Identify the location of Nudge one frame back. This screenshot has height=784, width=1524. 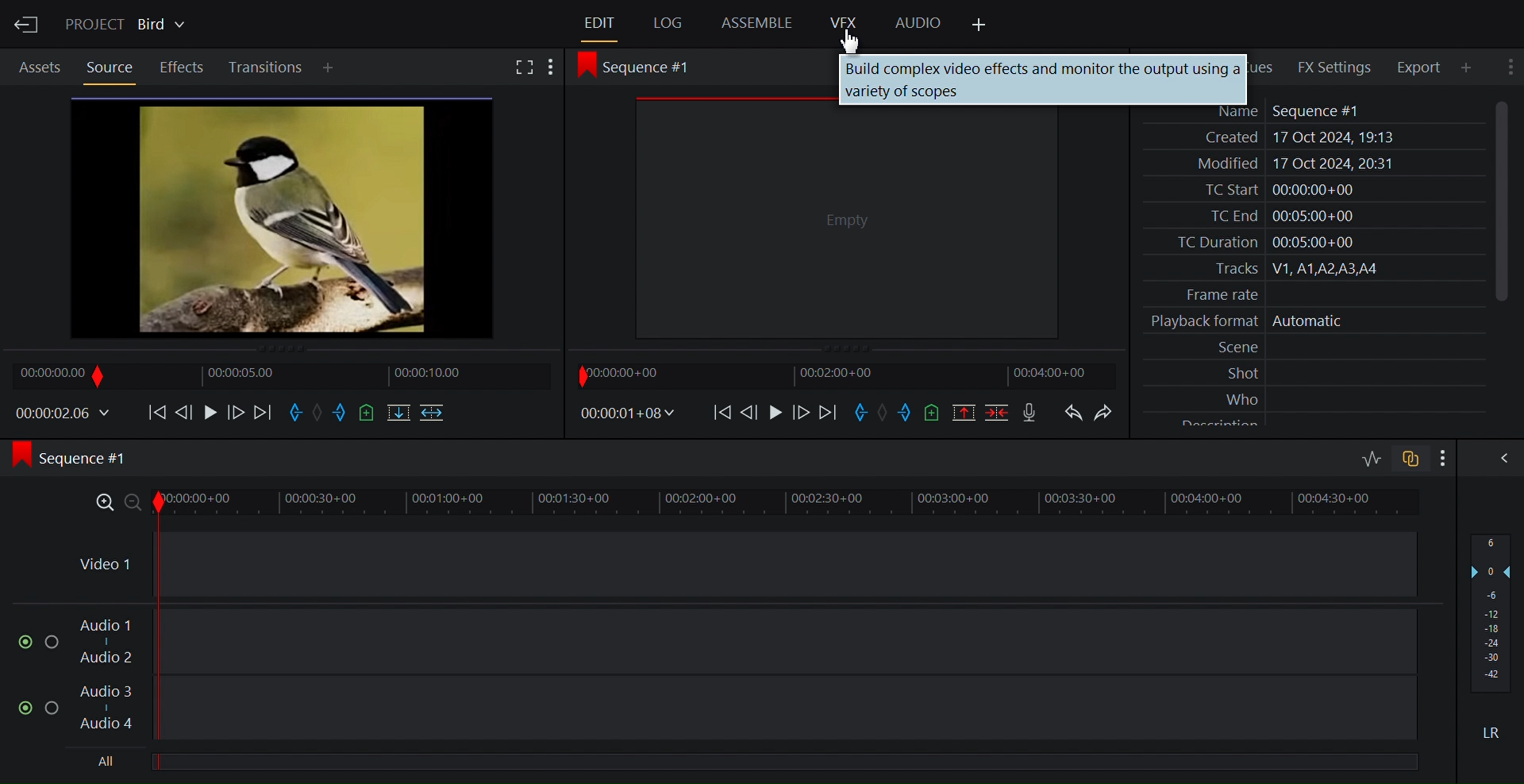
(750, 412).